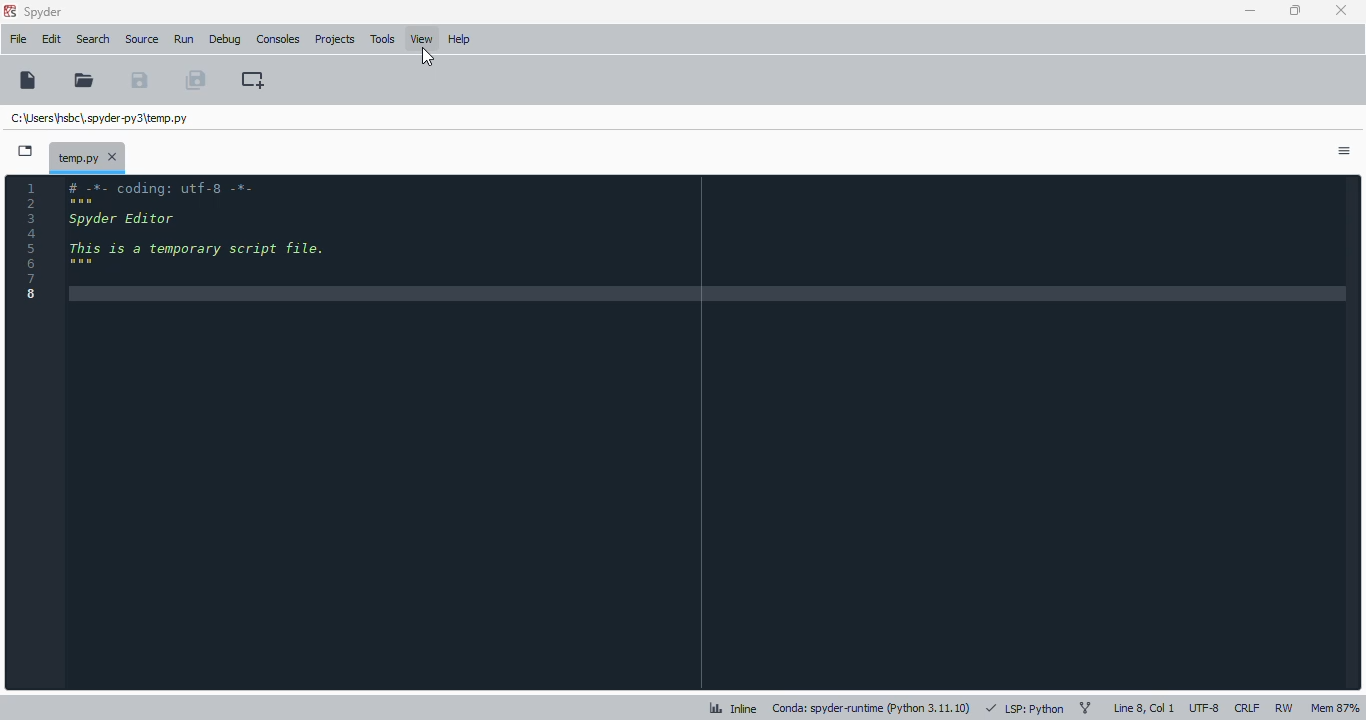  Describe the element at coordinates (251, 79) in the screenshot. I see `create new cell at the current line` at that location.